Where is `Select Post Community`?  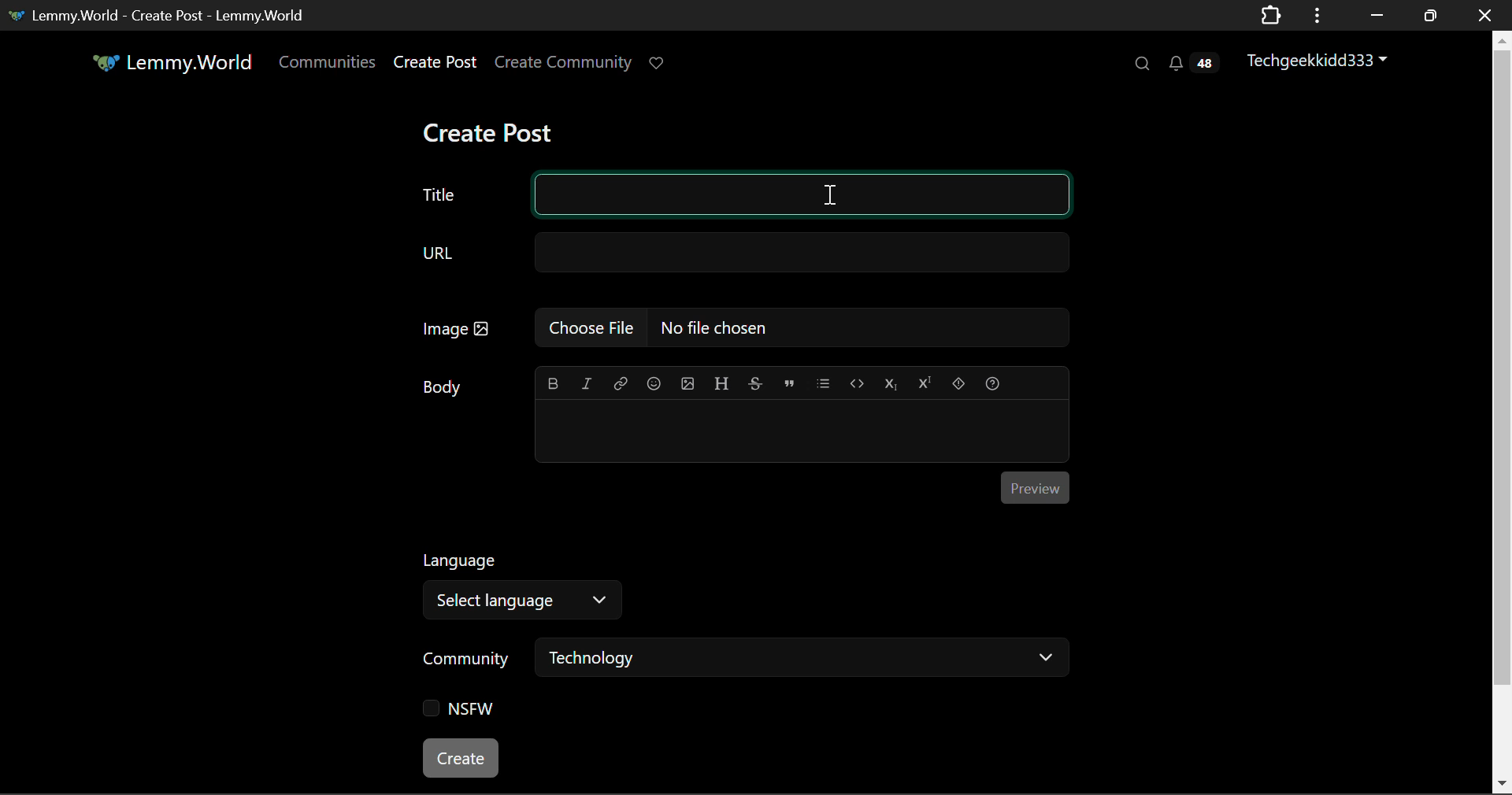 Select Post Community is located at coordinates (746, 660).